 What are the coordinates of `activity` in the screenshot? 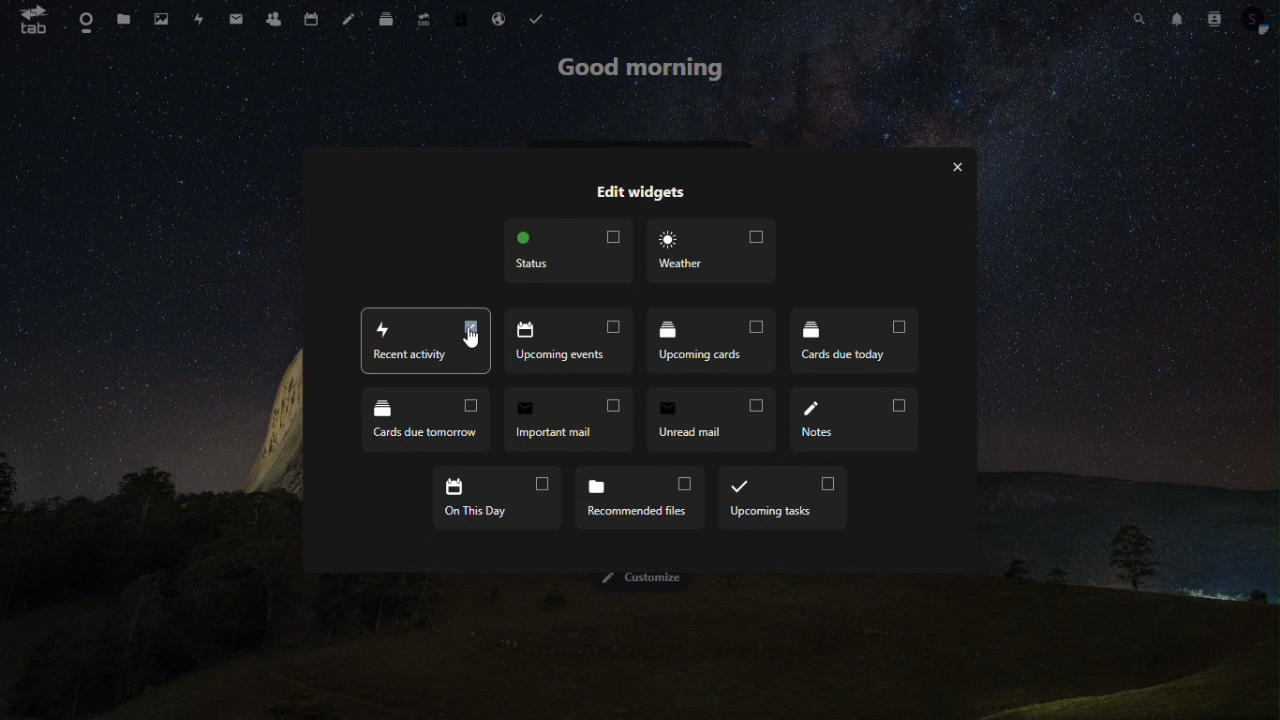 It's located at (200, 20).